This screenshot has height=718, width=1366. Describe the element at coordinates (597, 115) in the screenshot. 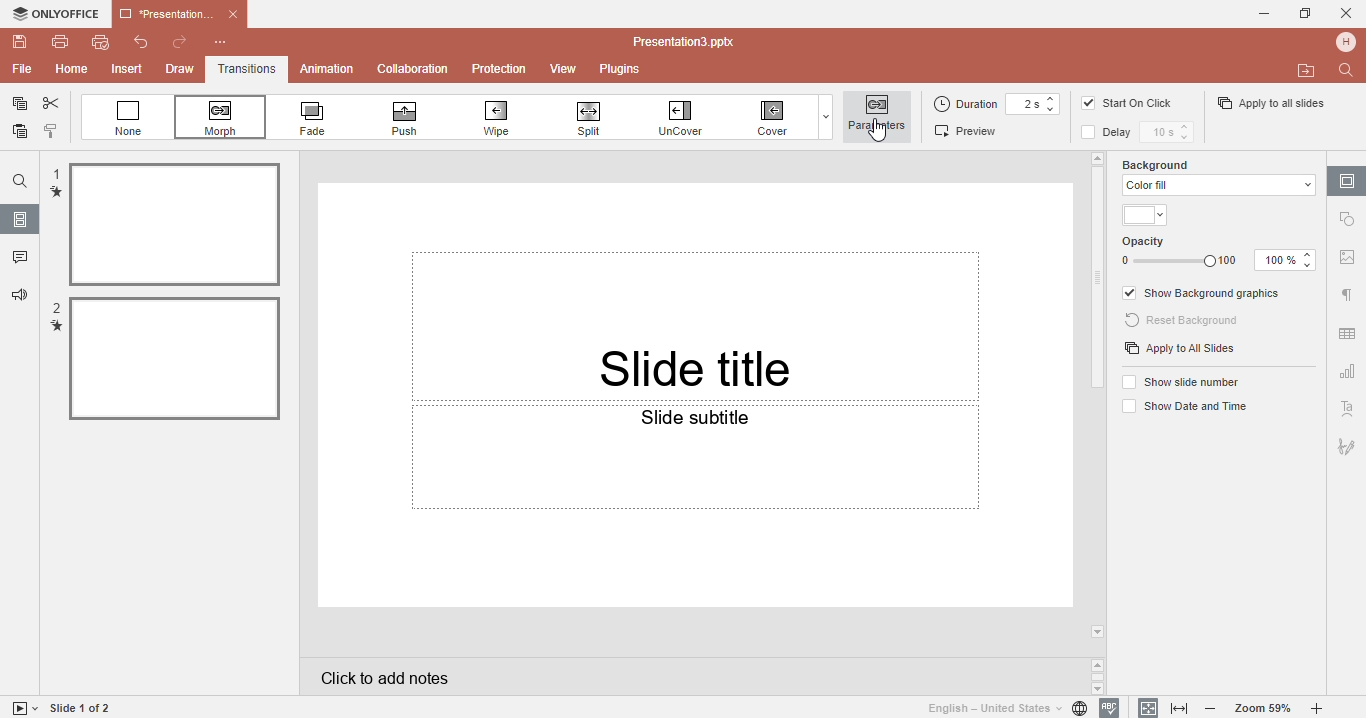

I see `Spill` at that location.